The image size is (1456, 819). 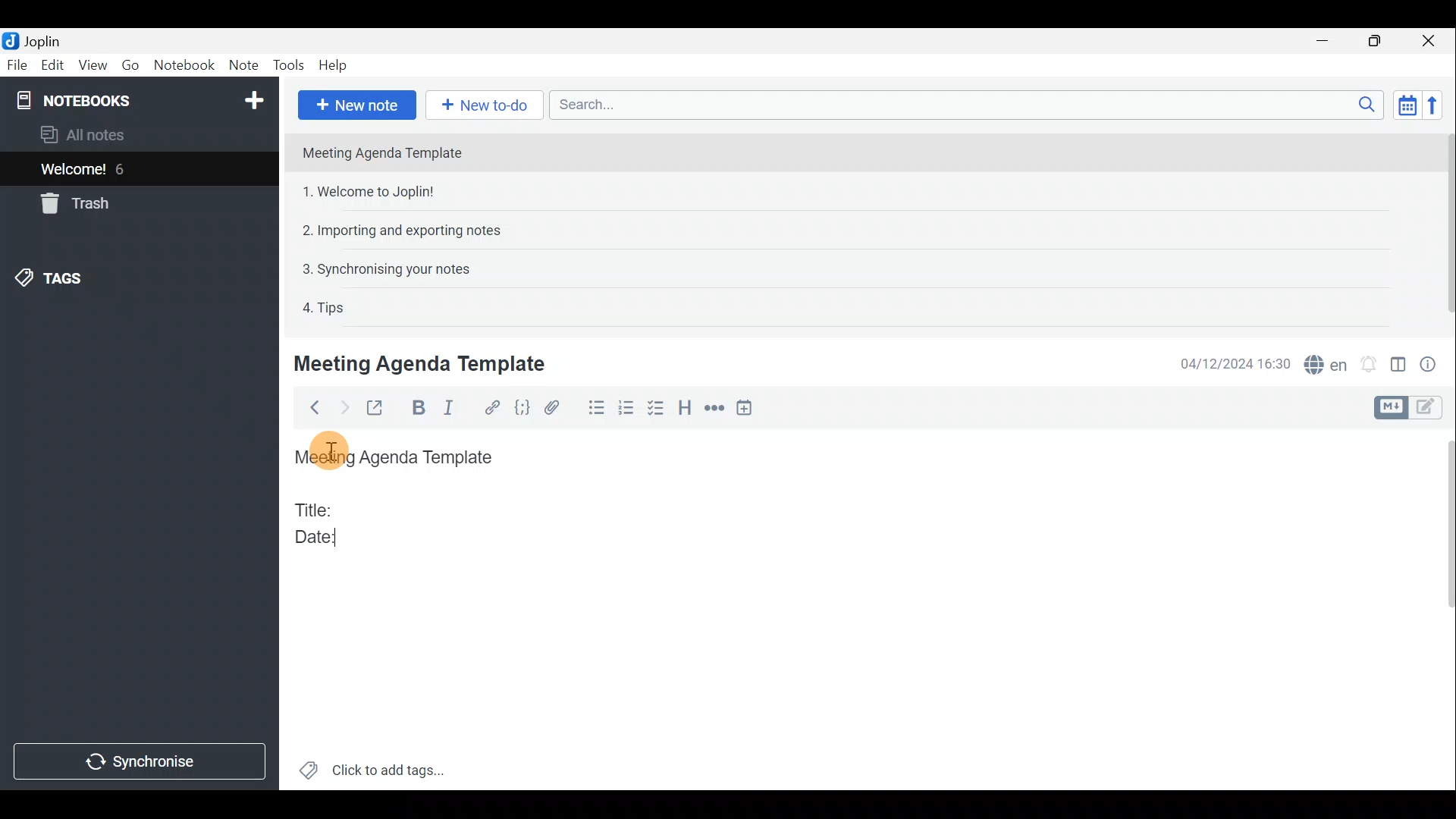 What do you see at coordinates (398, 458) in the screenshot?
I see `Meeting Agenda Template` at bounding box center [398, 458].